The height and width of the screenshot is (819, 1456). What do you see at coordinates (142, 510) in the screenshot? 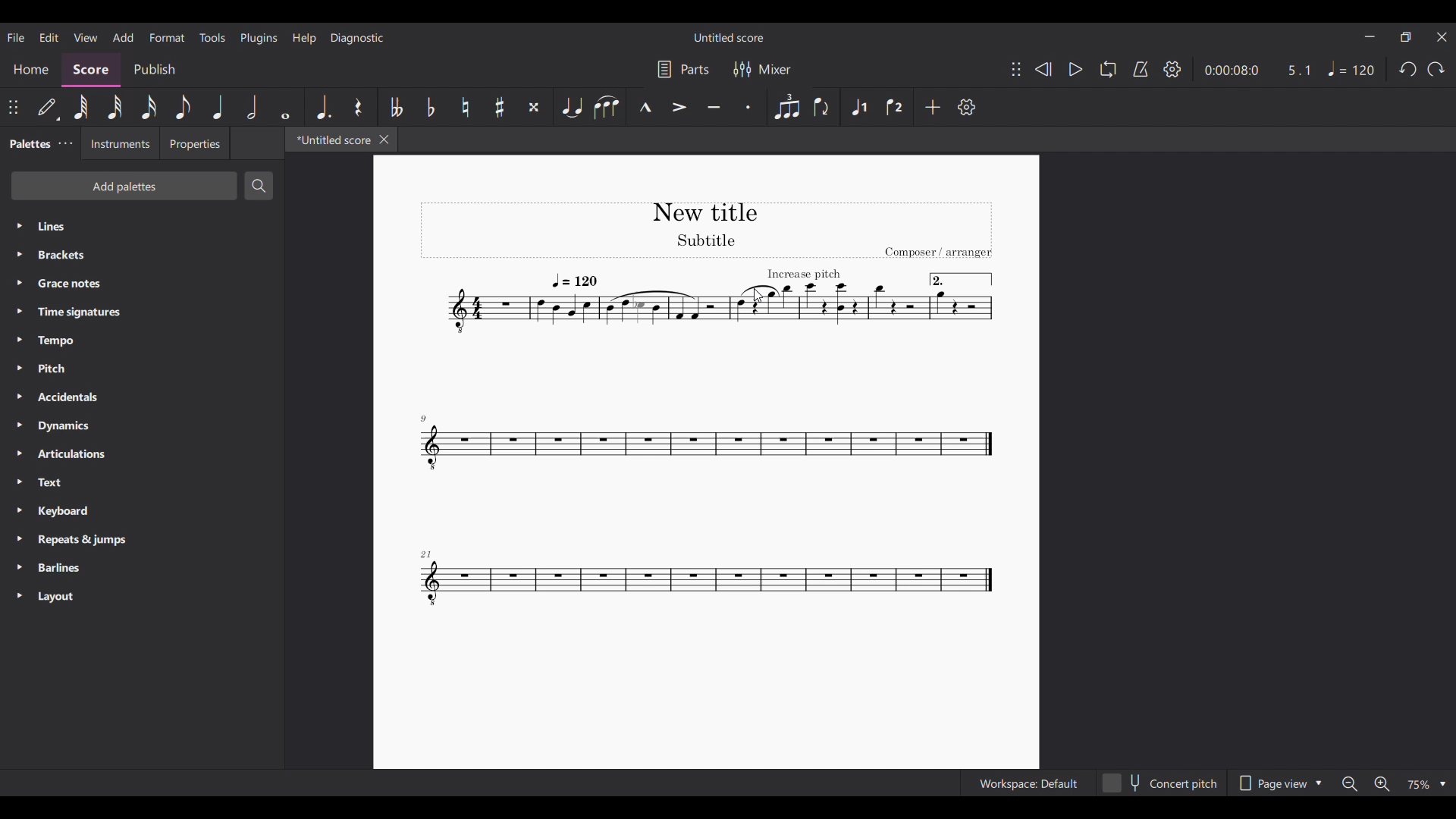
I see `Keyboard` at bounding box center [142, 510].